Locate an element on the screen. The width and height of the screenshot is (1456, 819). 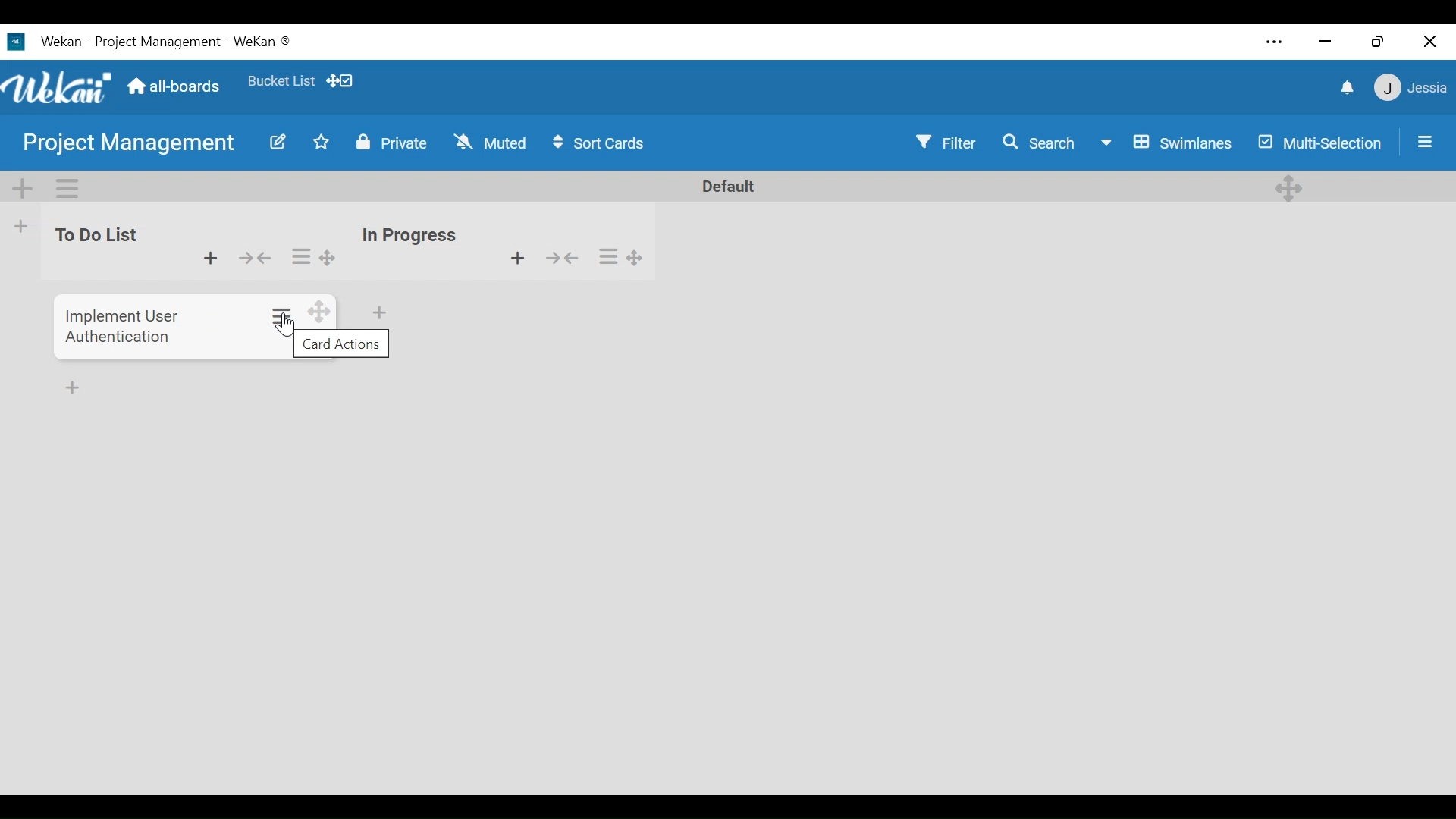
card actions is located at coordinates (282, 315).